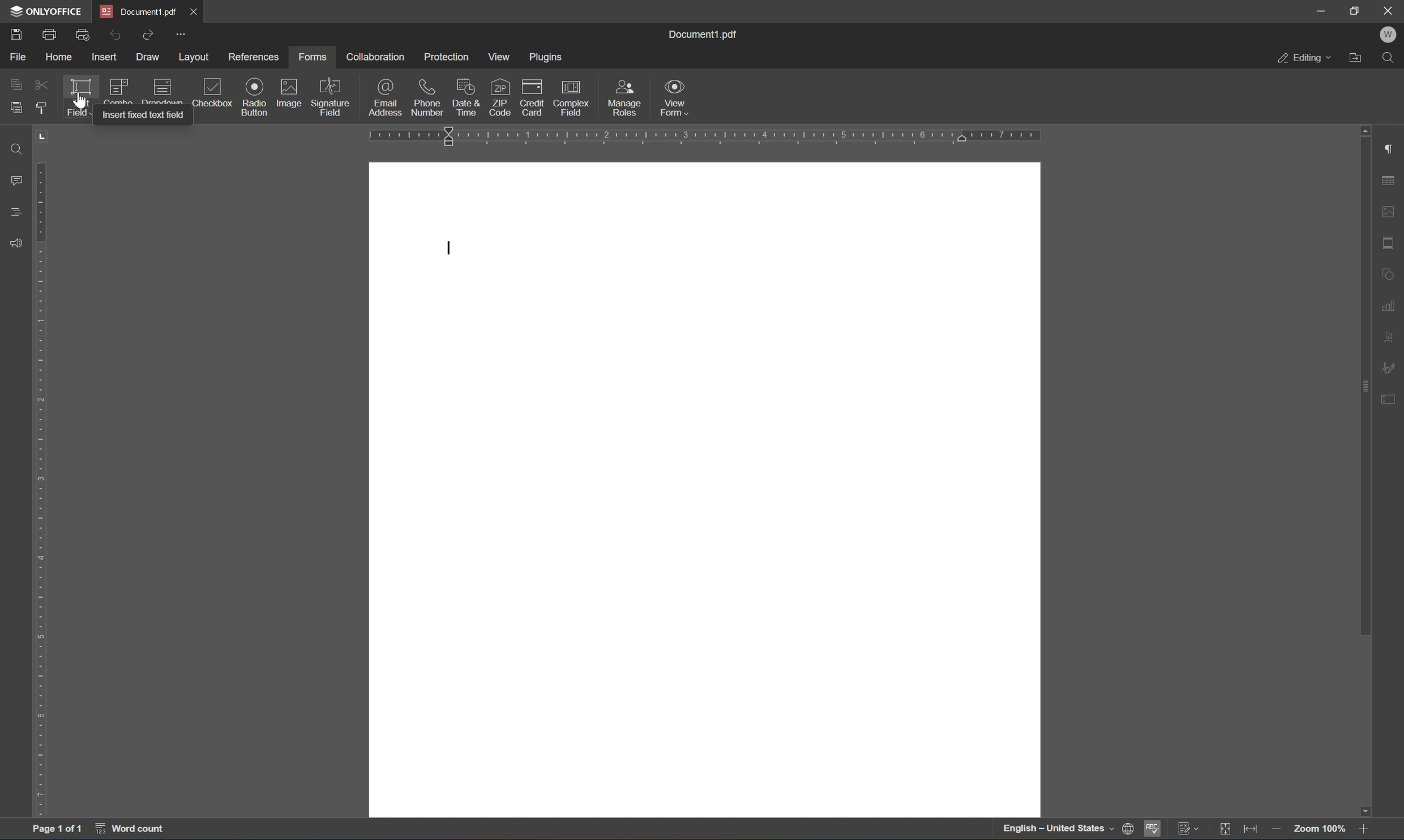 The image size is (1404, 840). I want to click on ONLYOFFICE, so click(44, 12).